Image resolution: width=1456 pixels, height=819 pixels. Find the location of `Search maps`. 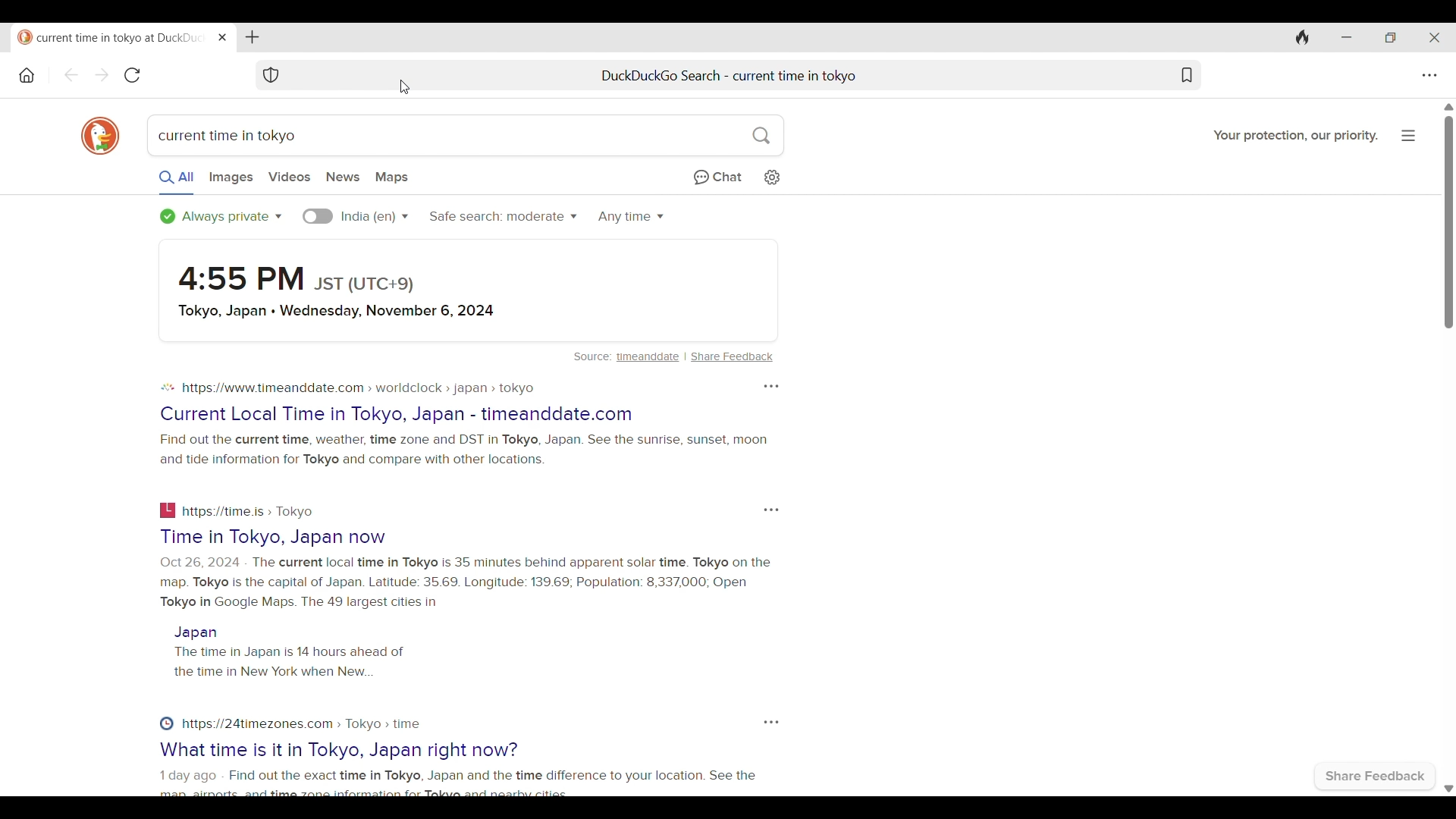

Search maps is located at coordinates (391, 177).